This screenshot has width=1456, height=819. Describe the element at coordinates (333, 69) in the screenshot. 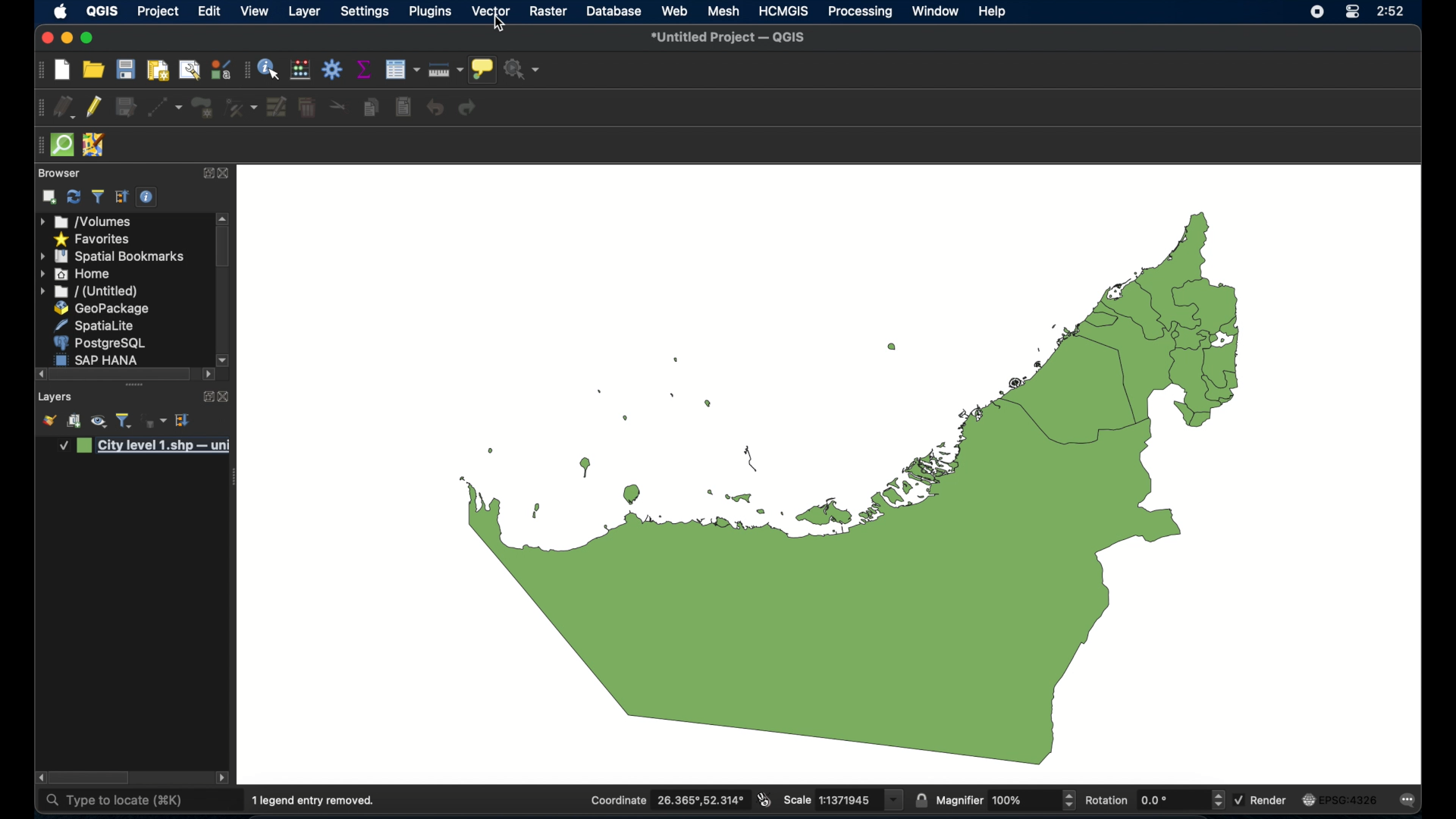

I see `toolbox` at that location.